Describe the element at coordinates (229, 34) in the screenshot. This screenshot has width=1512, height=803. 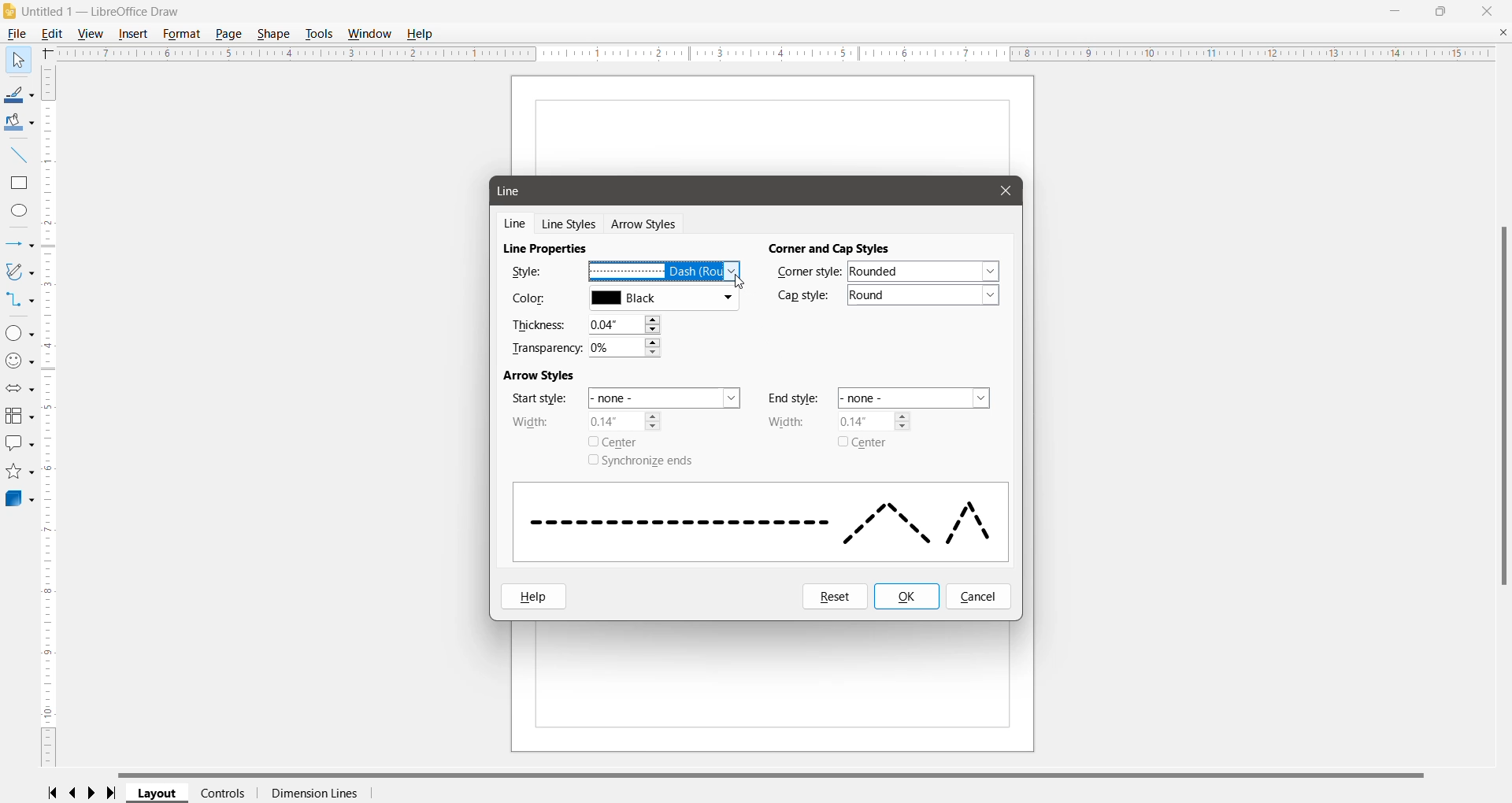
I see `Page` at that location.